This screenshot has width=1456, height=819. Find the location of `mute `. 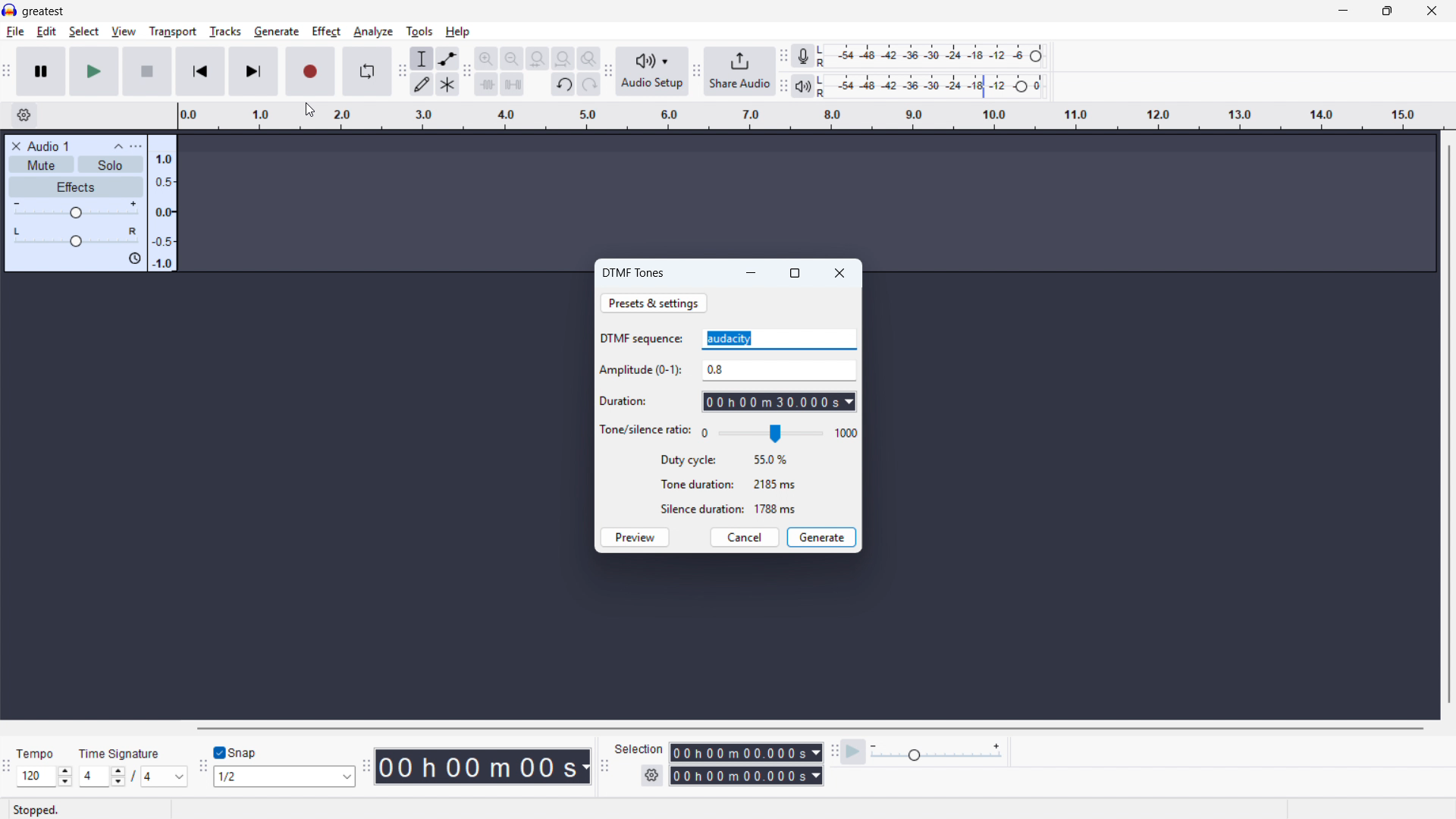

mute  is located at coordinates (41, 165).